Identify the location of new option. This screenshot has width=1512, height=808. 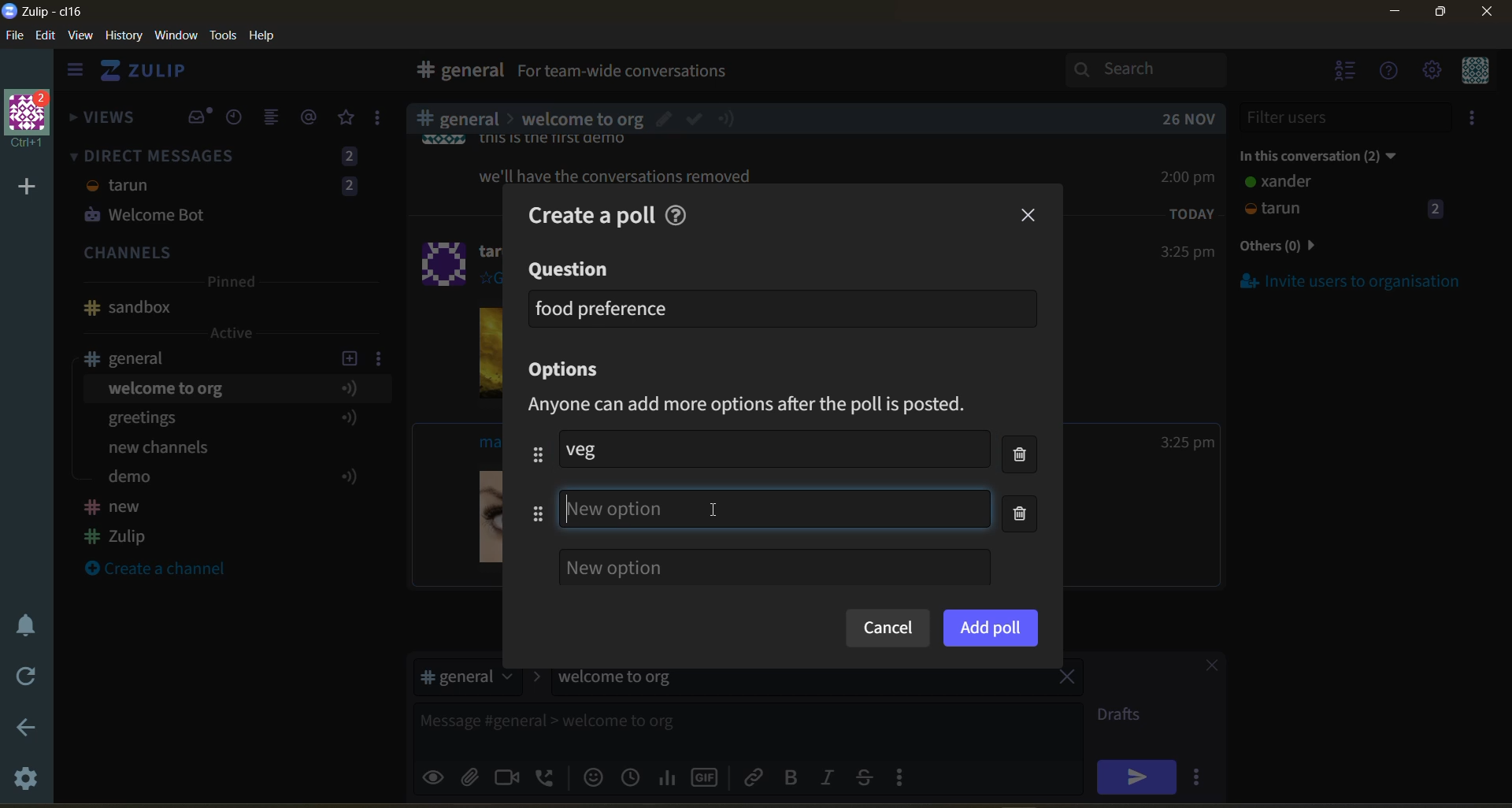
(774, 567).